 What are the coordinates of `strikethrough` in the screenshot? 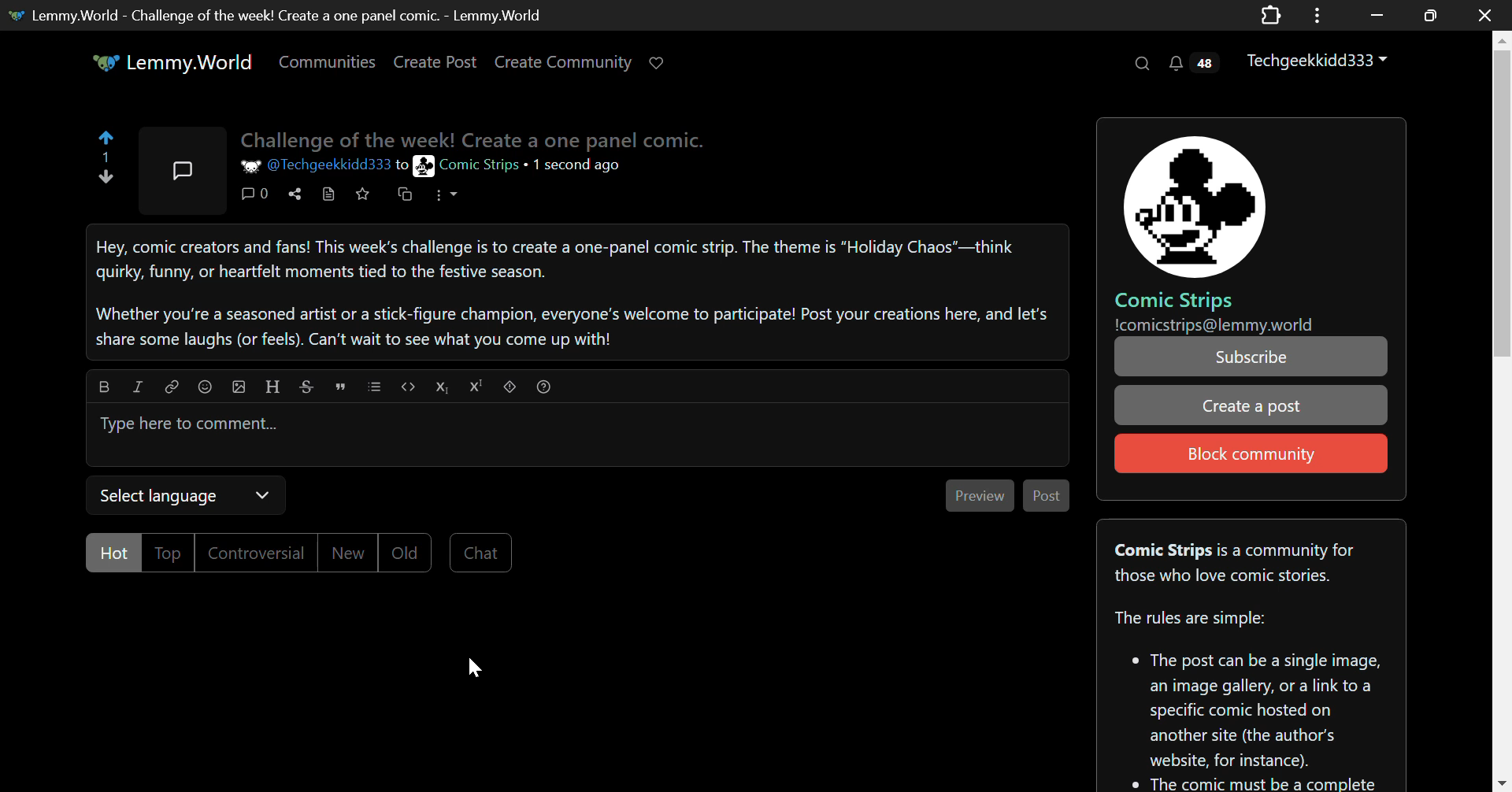 It's located at (306, 386).